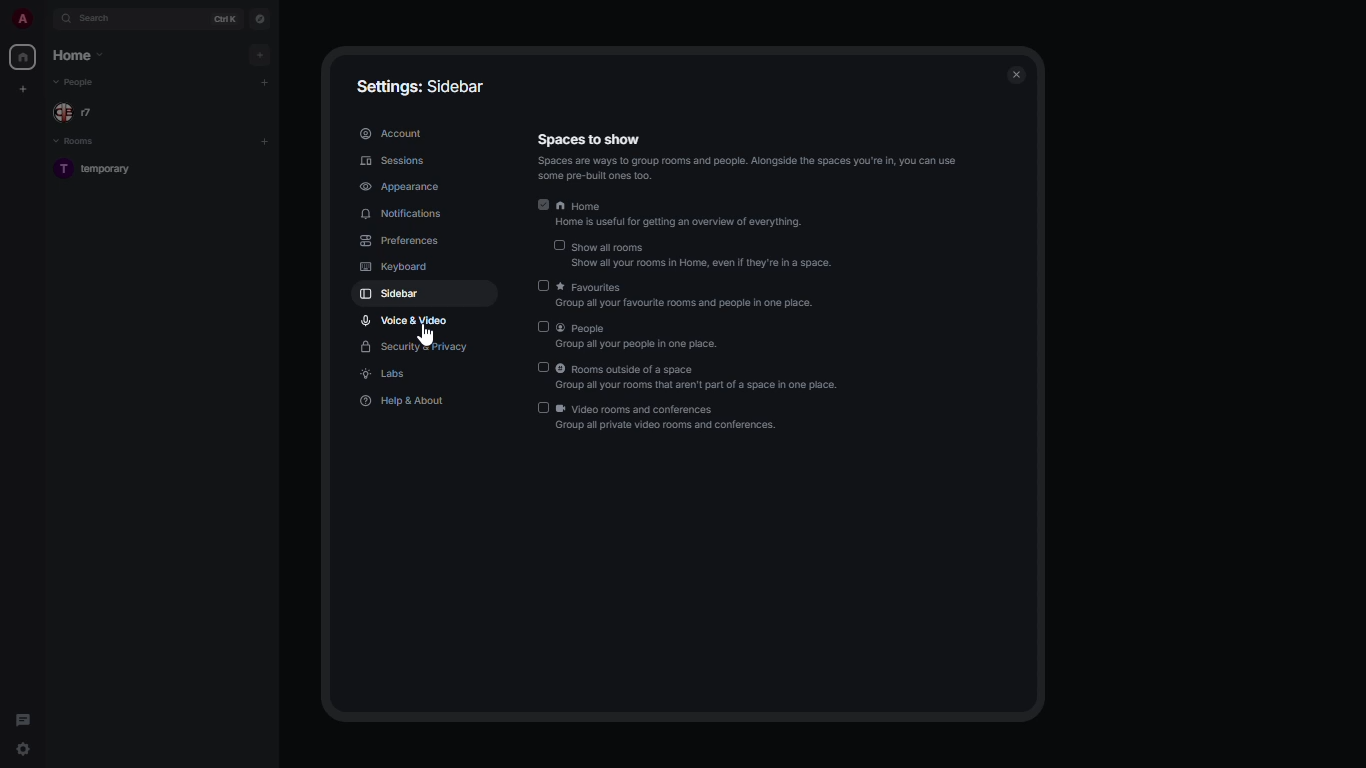 The image size is (1366, 768). I want to click on people, so click(639, 338).